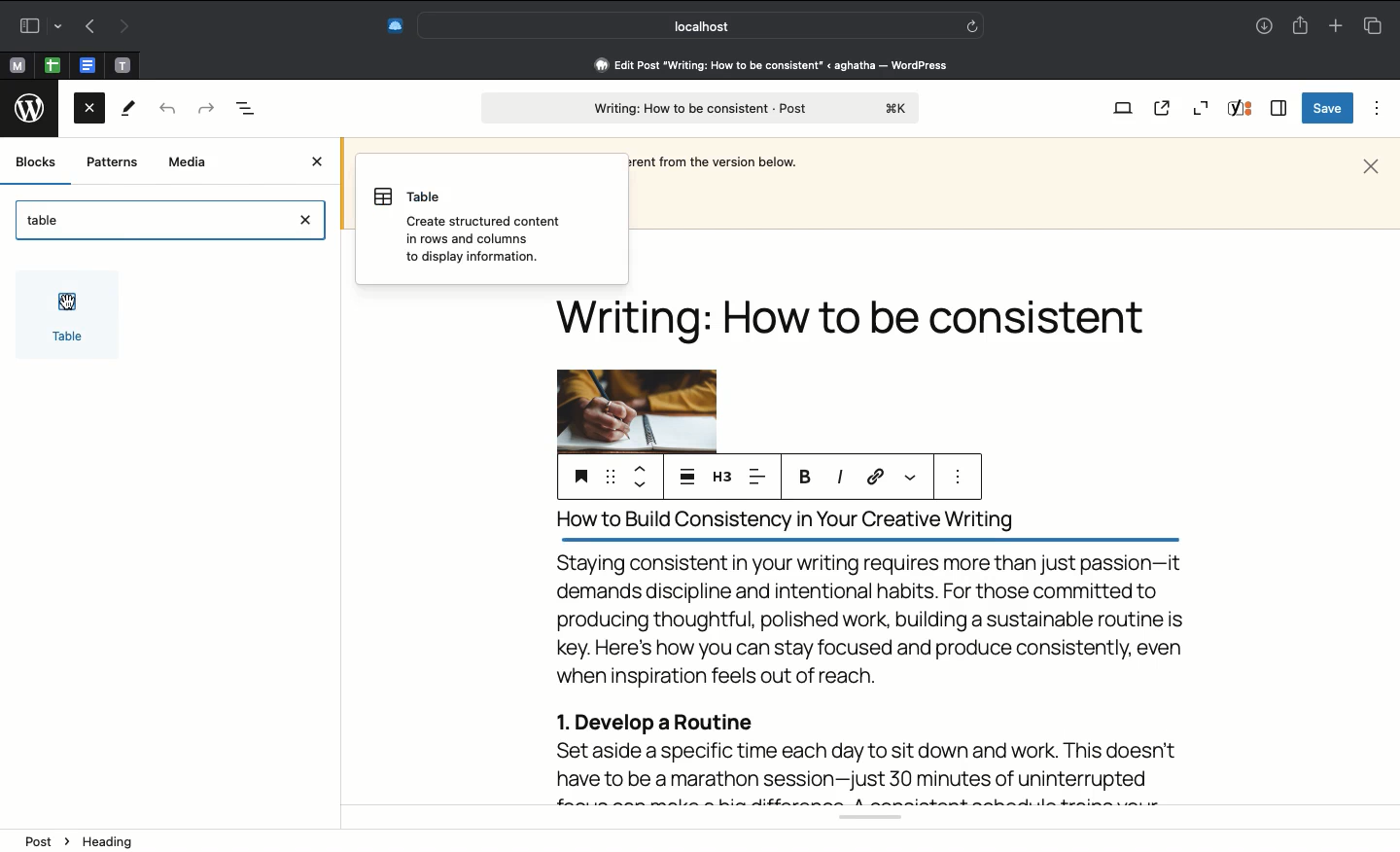  What do you see at coordinates (121, 65) in the screenshot?
I see `Pinned tabs` at bounding box center [121, 65].